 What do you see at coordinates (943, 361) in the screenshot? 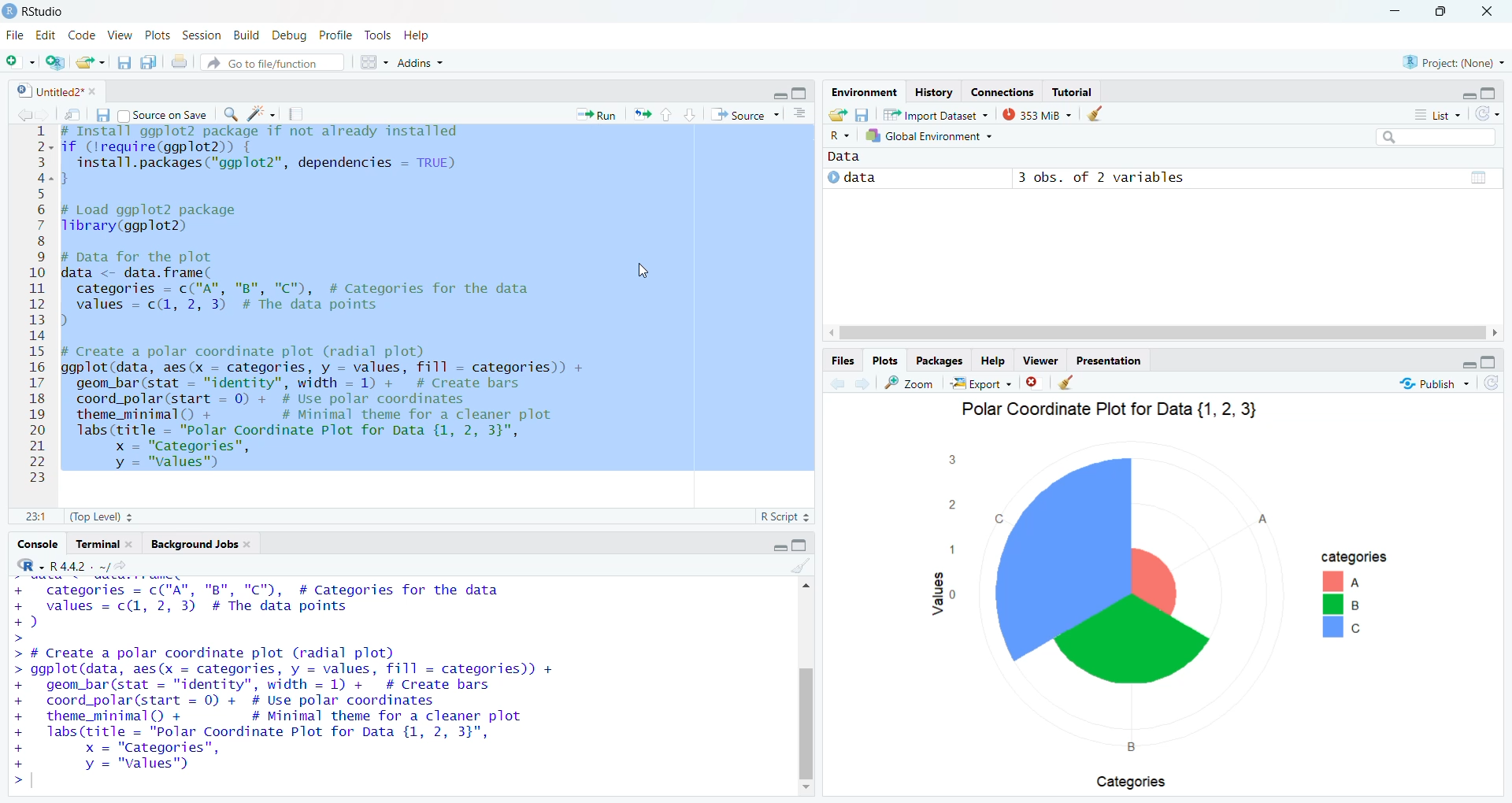
I see `Packages` at bounding box center [943, 361].